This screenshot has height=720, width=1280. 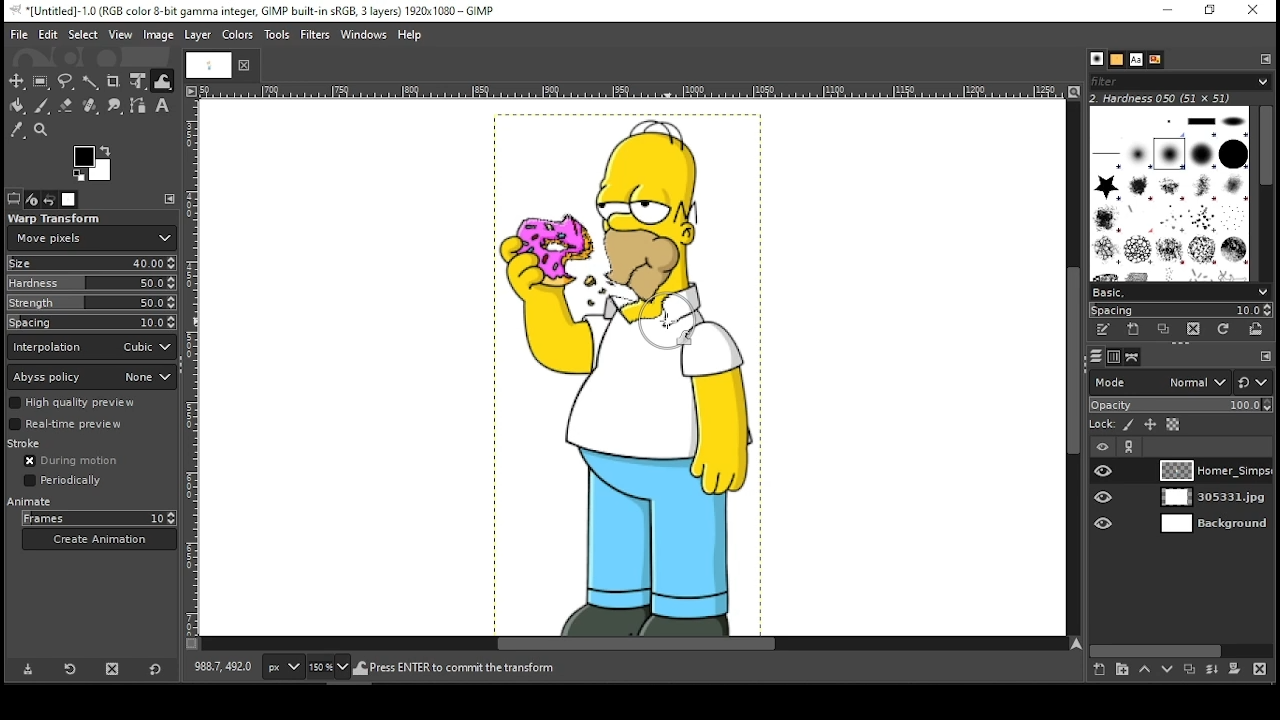 I want to click on patterns, so click(x=1117, y=60).